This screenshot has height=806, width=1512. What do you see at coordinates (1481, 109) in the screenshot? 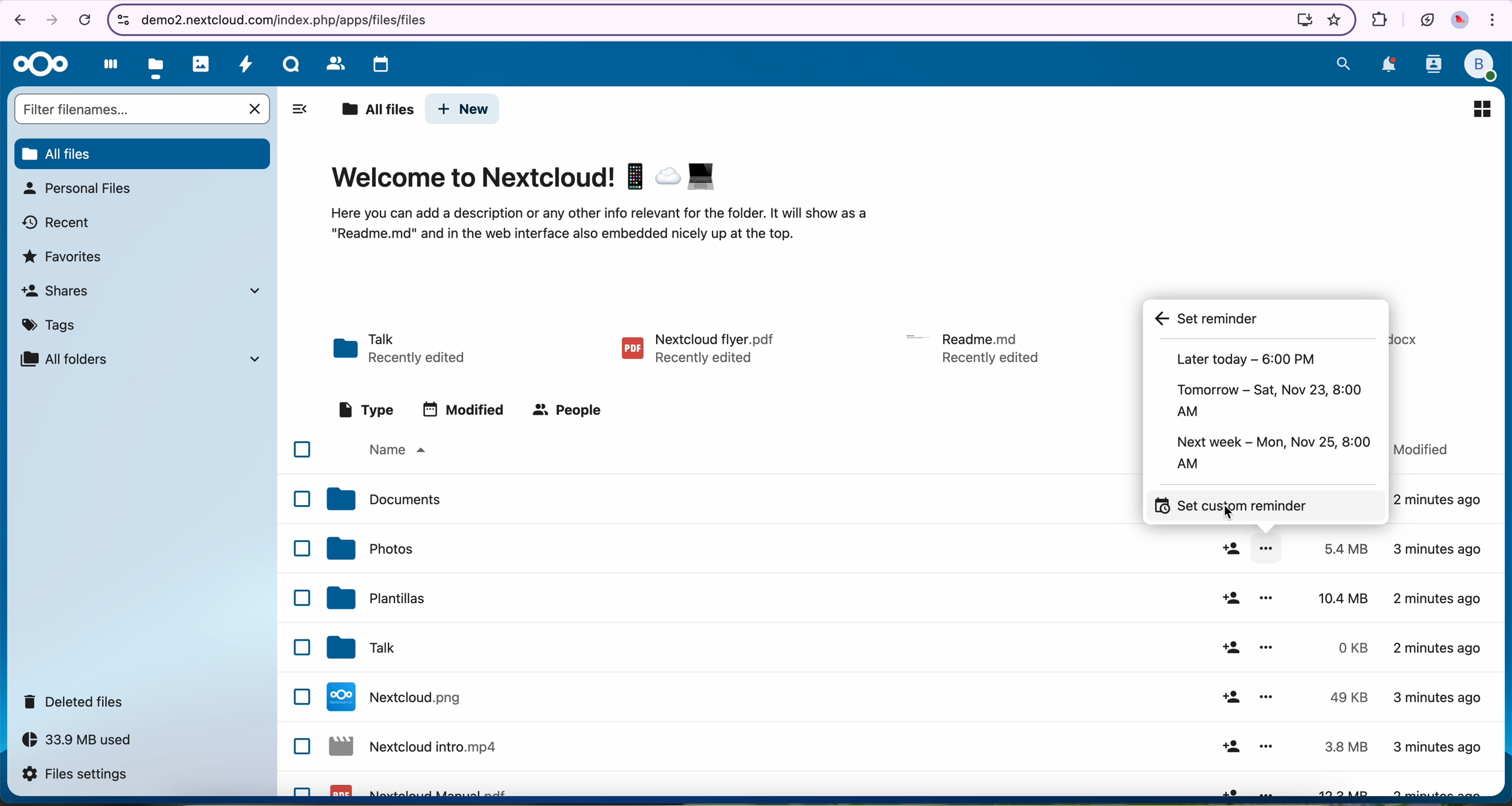
I see `icon view` at bounding box center [1481, 109].